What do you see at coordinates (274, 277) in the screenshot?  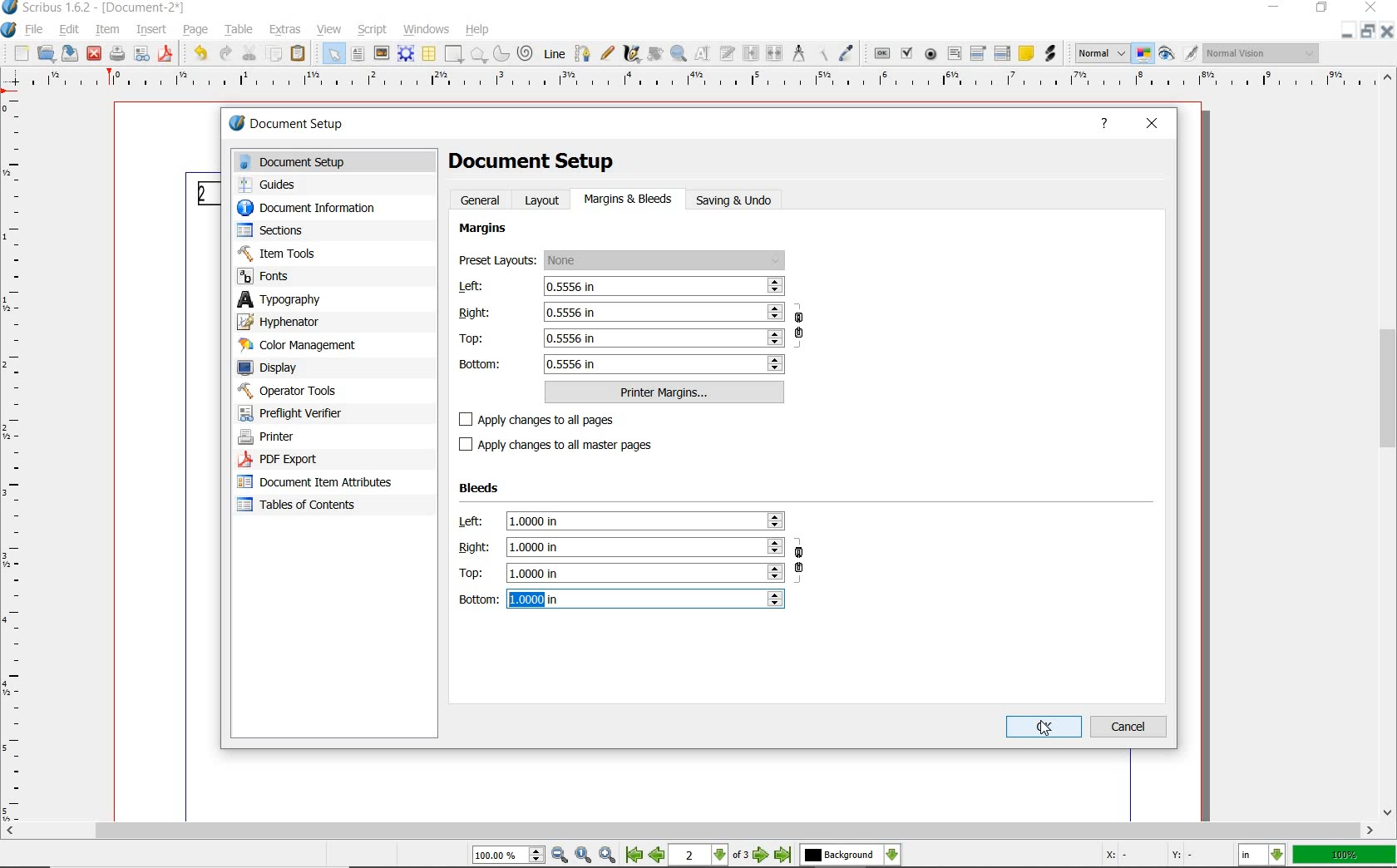 I see `fonts` at bounding box center [274, 277].